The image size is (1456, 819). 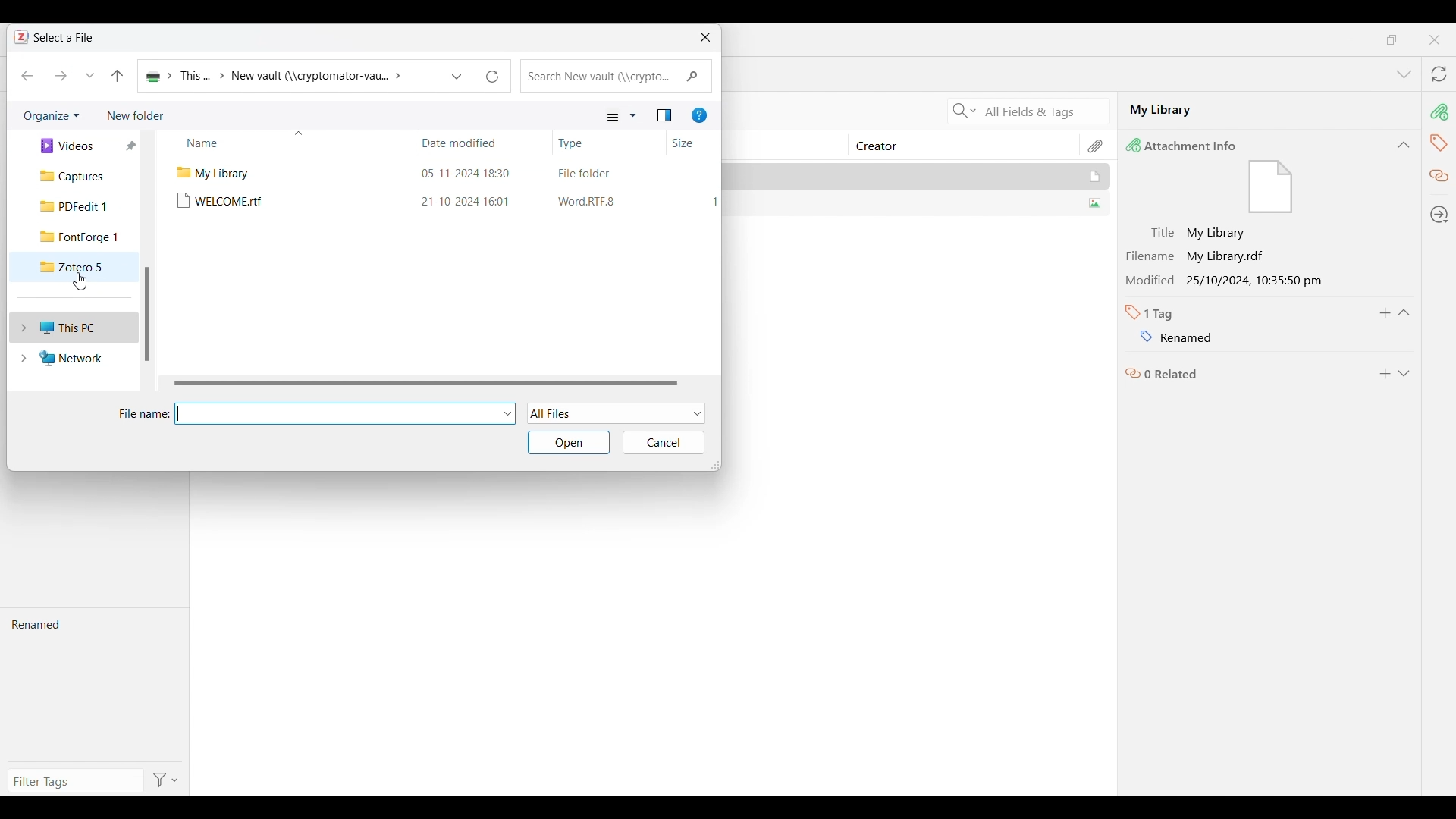 What do you see at coordinates (1385, 313) in the screenshot?
I see `Add` at bounding box center [1385, 313].